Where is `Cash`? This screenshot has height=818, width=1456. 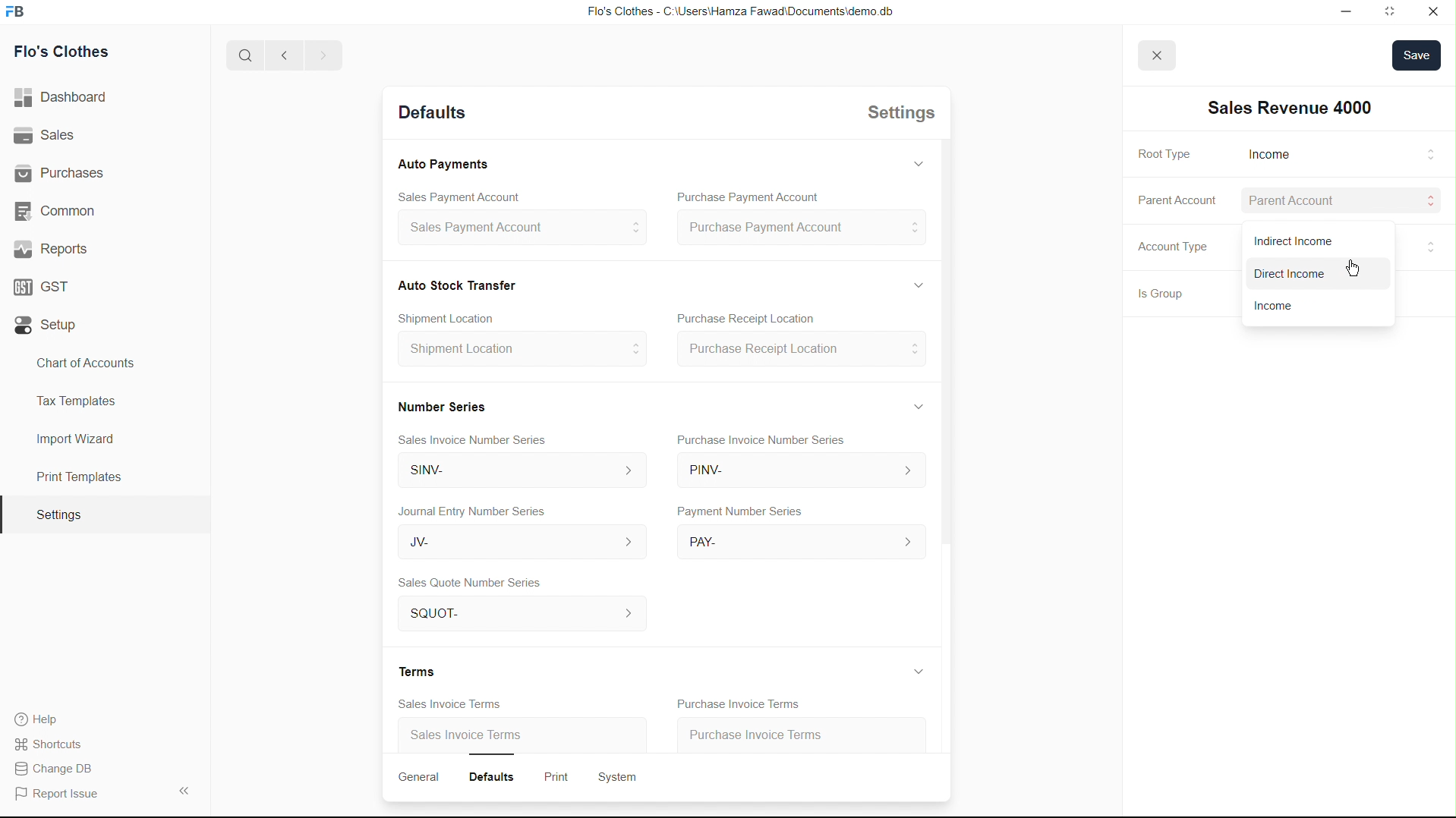
Cash is located at coordinates (458, 284).